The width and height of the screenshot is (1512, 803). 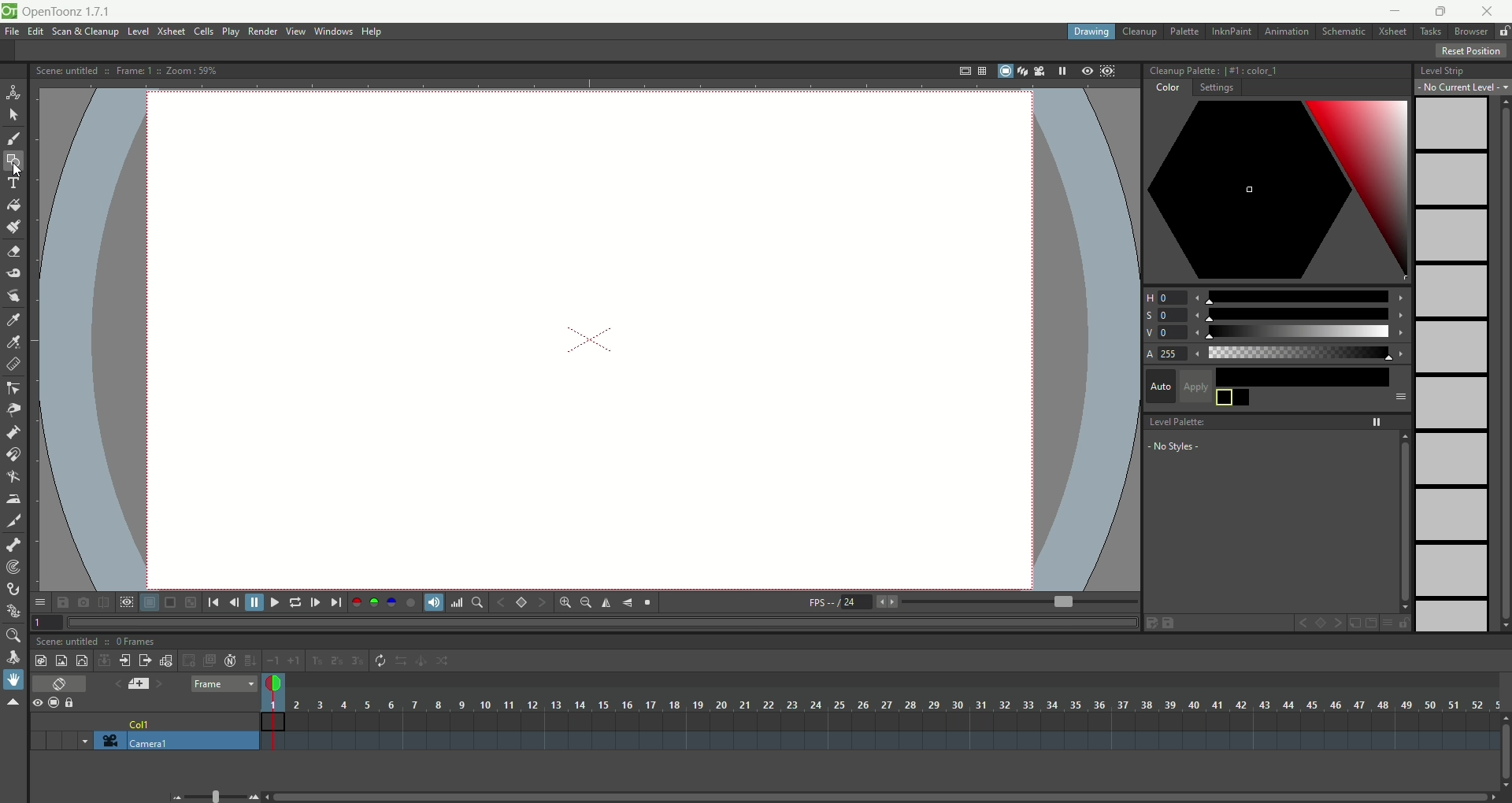 I want to click on clean up, so click(x=1140, y=32).